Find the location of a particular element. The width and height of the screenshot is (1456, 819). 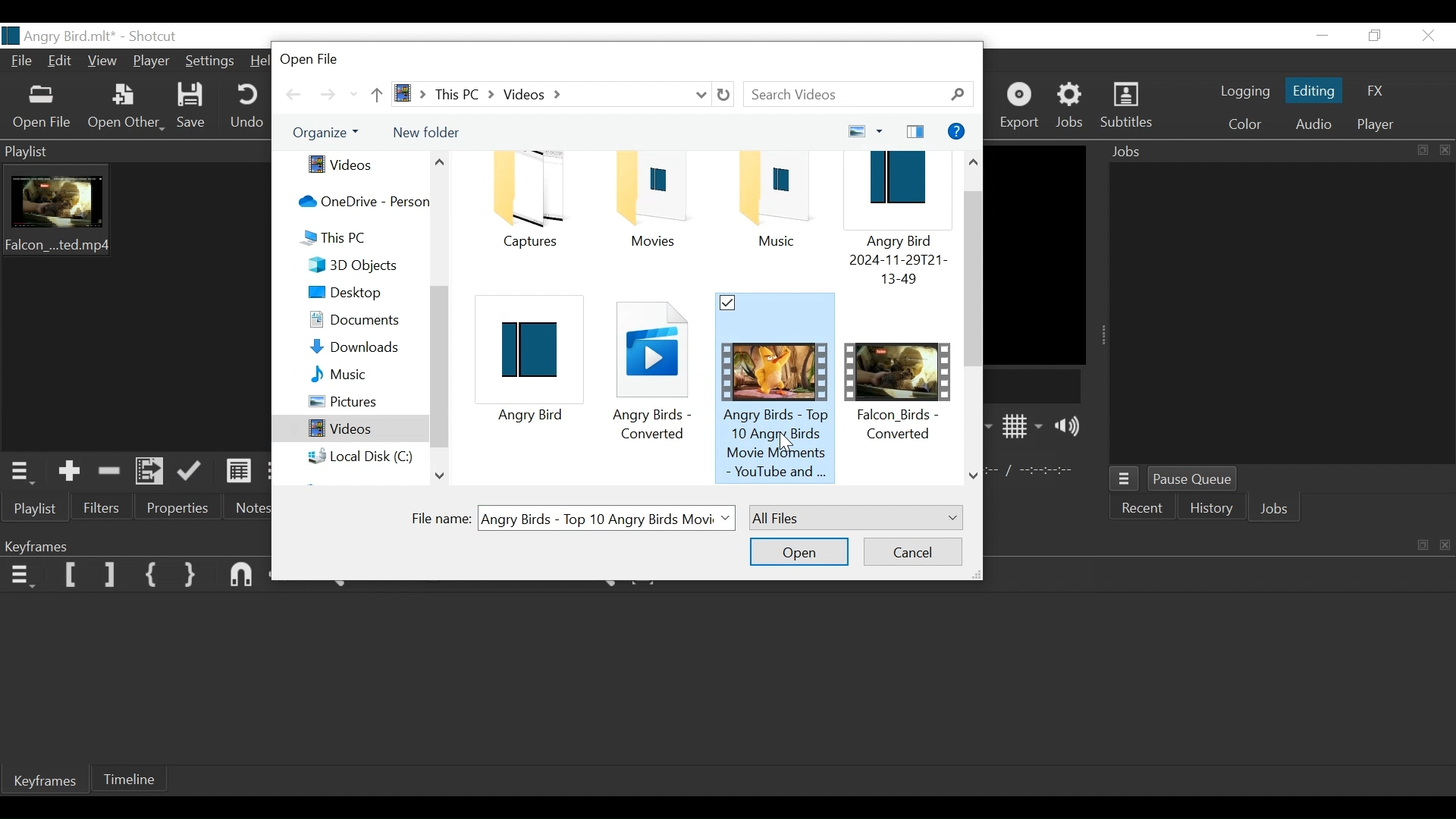

Vertical Scroll bar is located at coordinates (442, 367).